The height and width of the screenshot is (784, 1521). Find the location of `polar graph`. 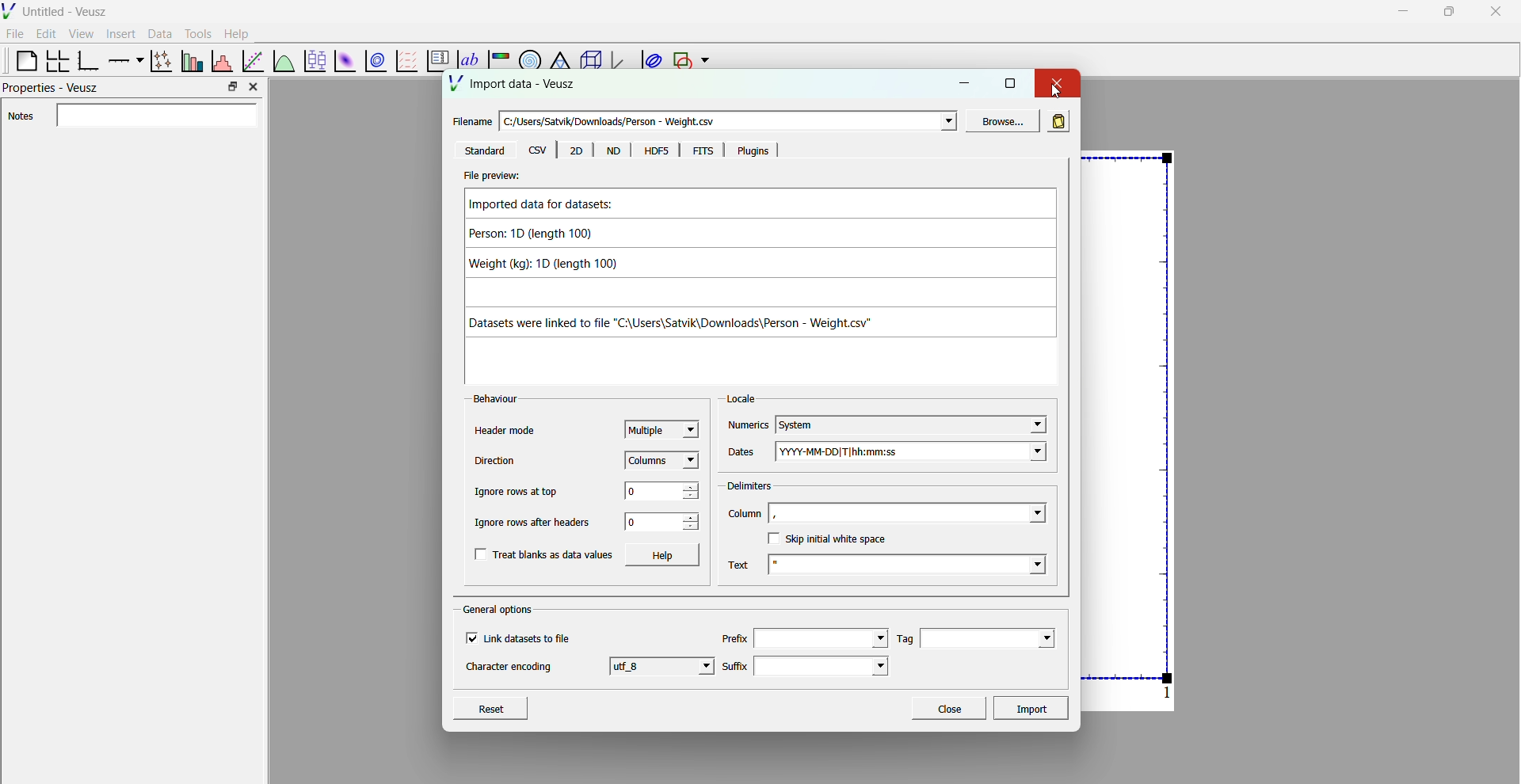

polar graph is located at coordinates (527, 55).